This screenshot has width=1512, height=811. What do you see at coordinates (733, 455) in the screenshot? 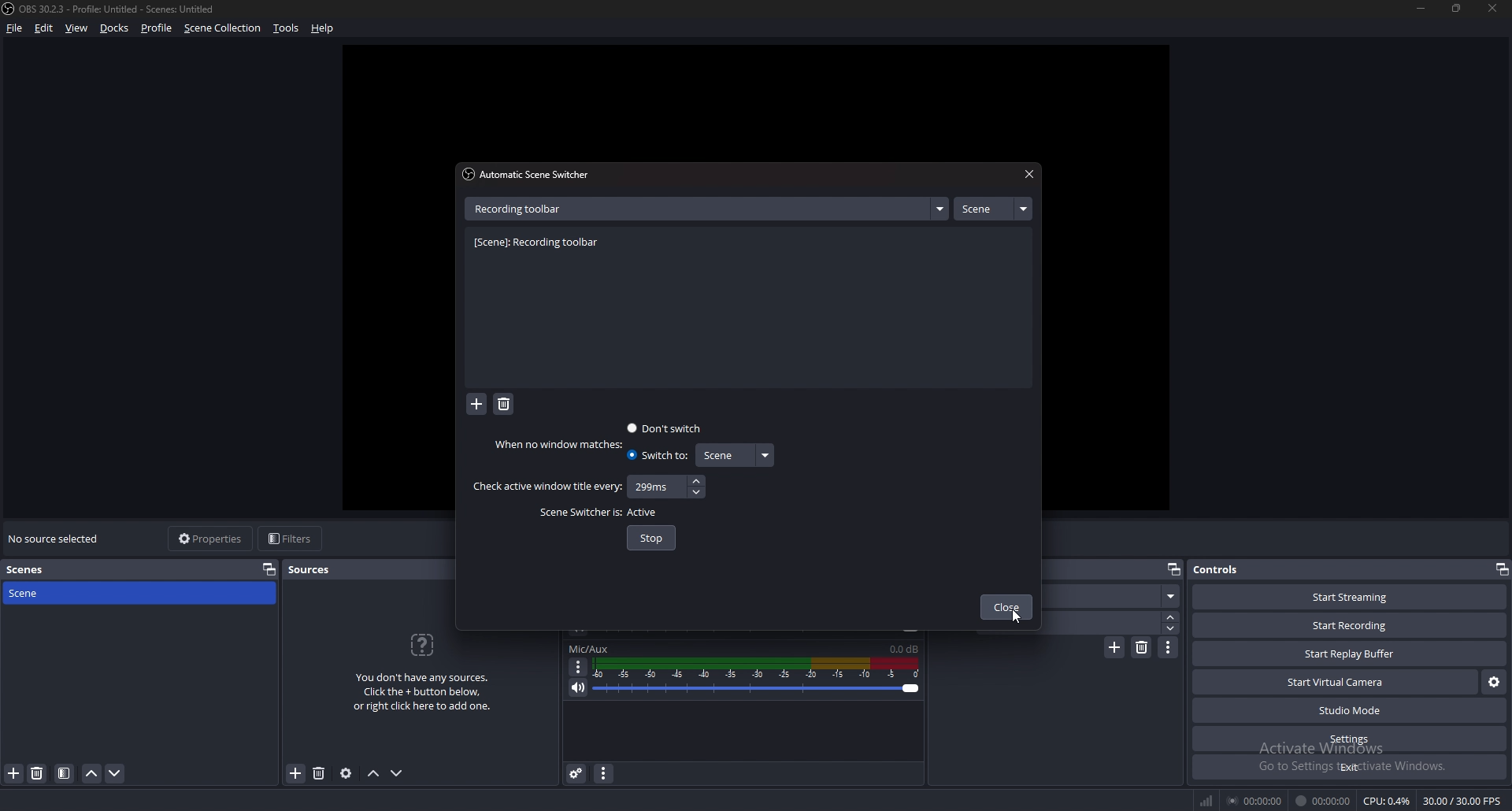
I see `scene` at bounding box center [733, 455].